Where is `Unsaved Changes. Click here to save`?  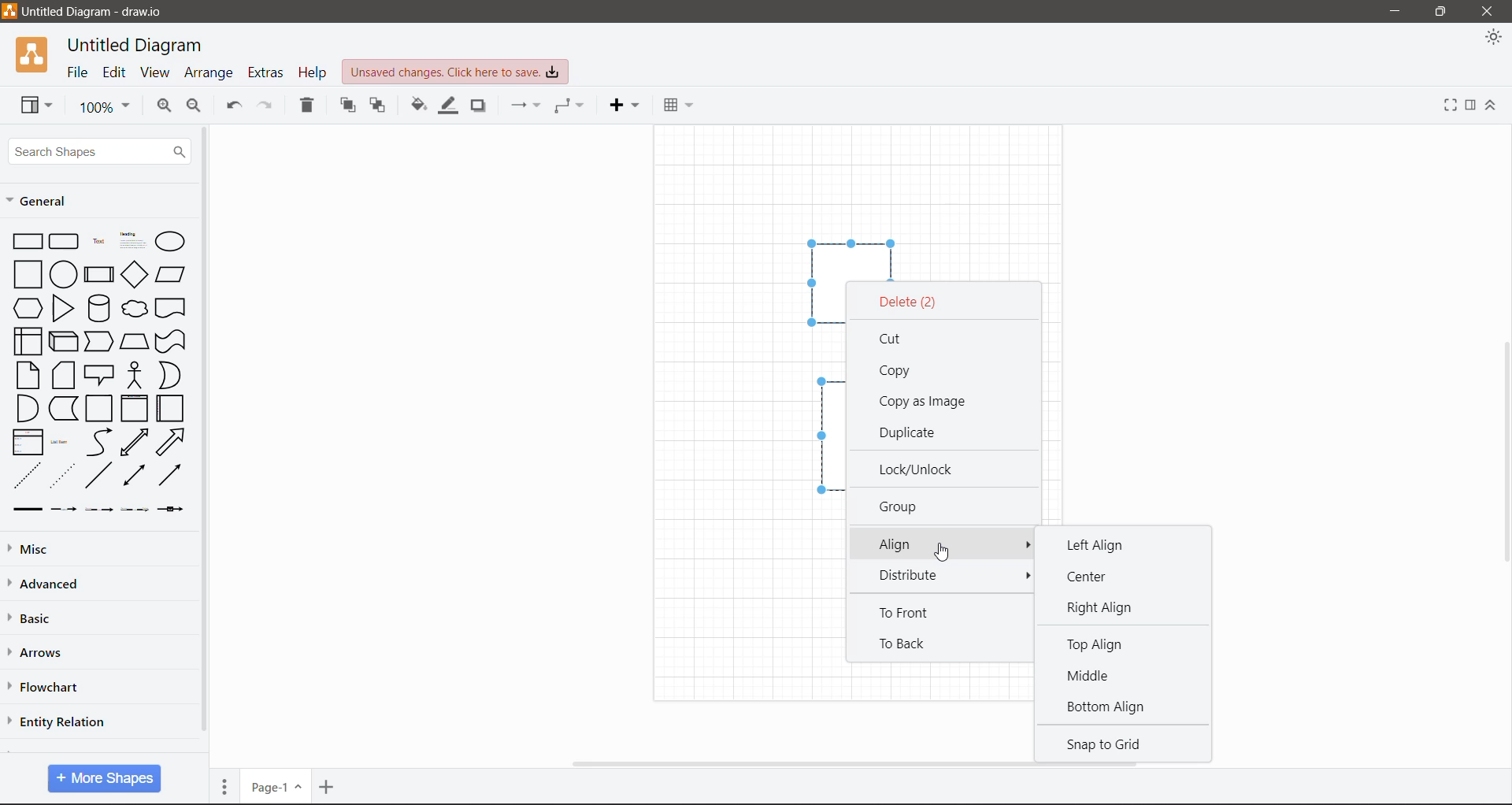
Unsaved Changes. Click here to save is located at coordinates (455, 73).